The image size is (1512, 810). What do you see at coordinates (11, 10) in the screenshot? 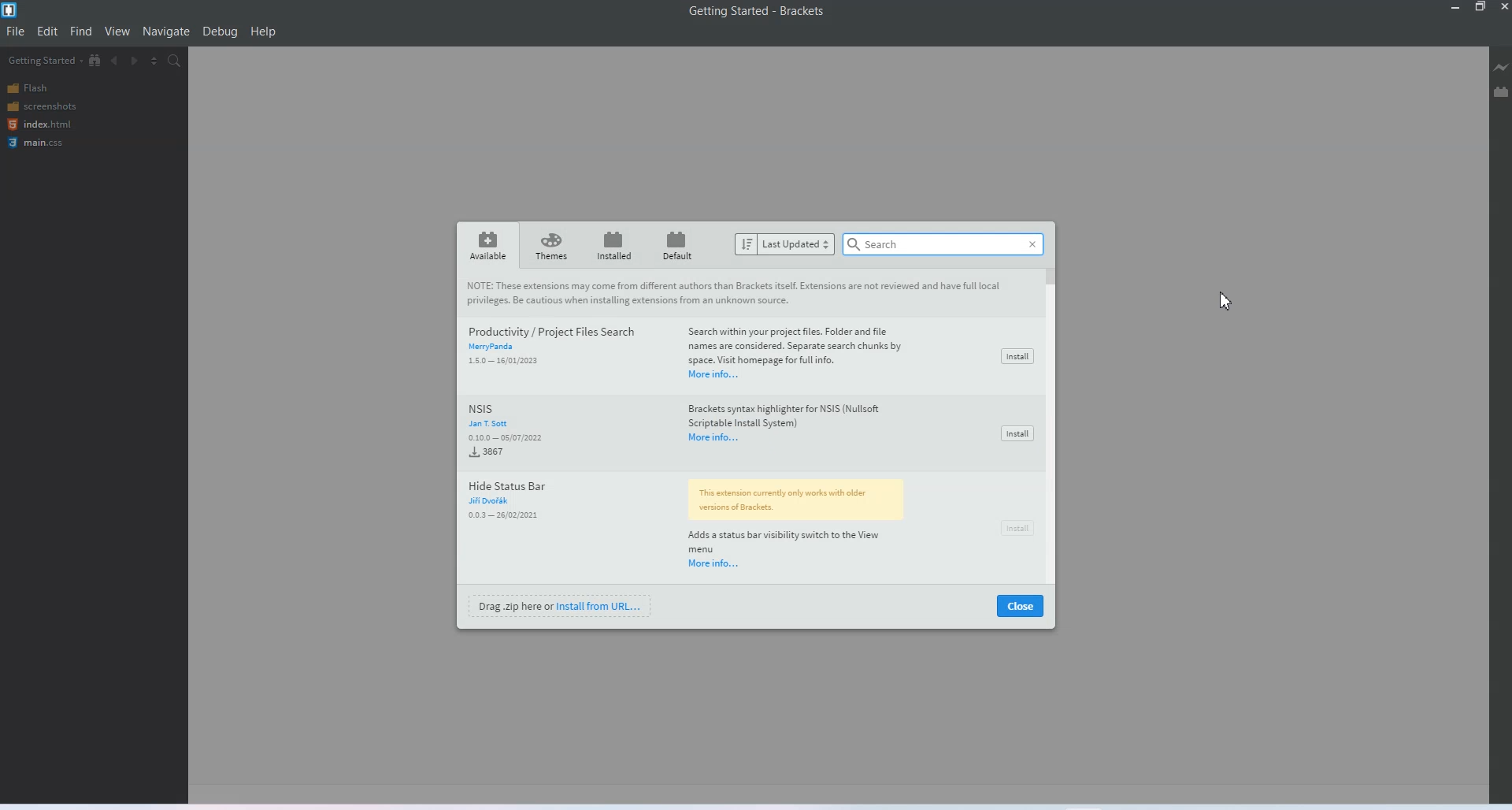
I see `Logo` at bounding box center [11, 10].